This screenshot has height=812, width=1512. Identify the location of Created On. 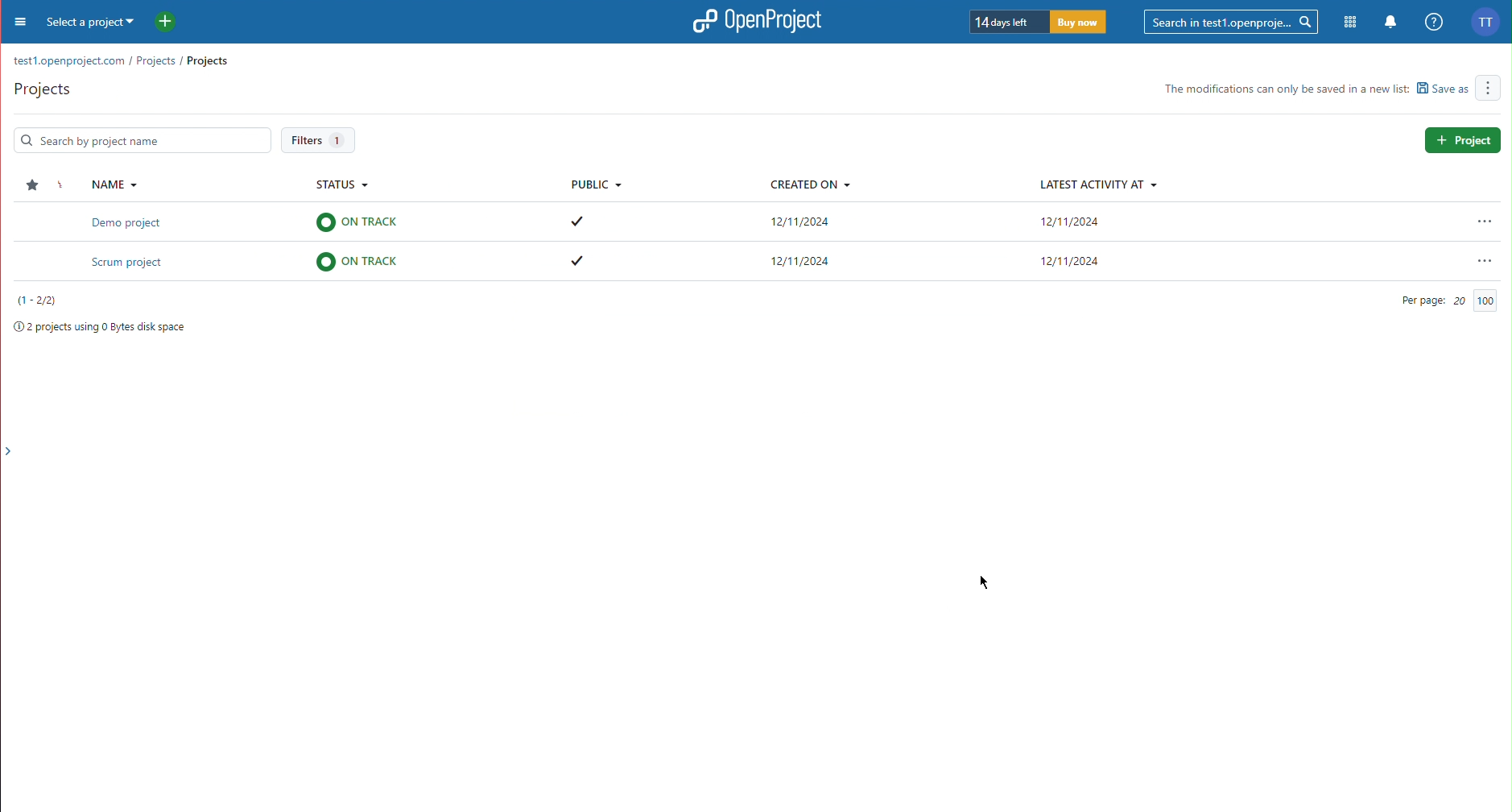
(814, 184).